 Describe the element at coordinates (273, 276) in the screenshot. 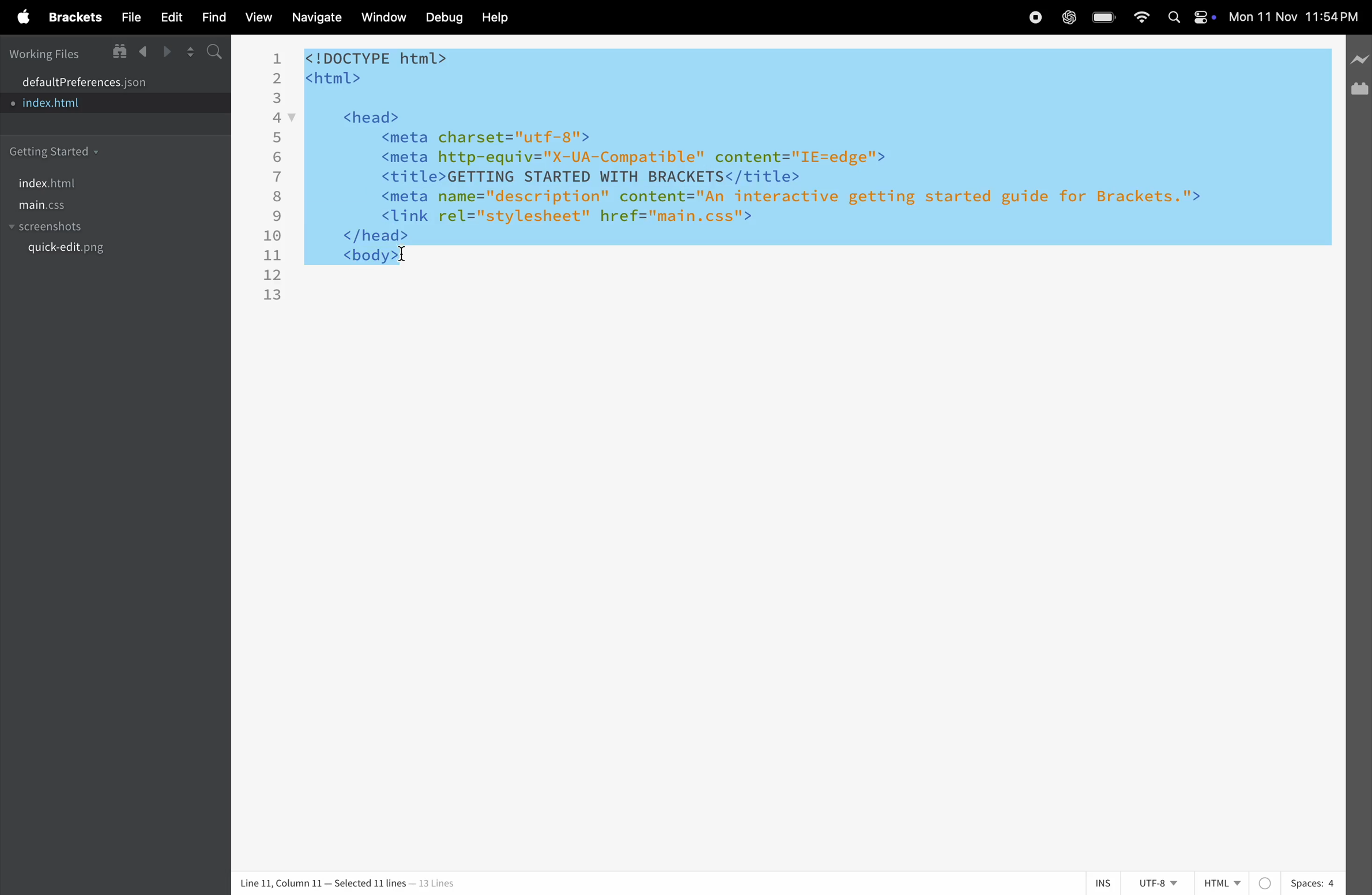

I see `12` at that location.